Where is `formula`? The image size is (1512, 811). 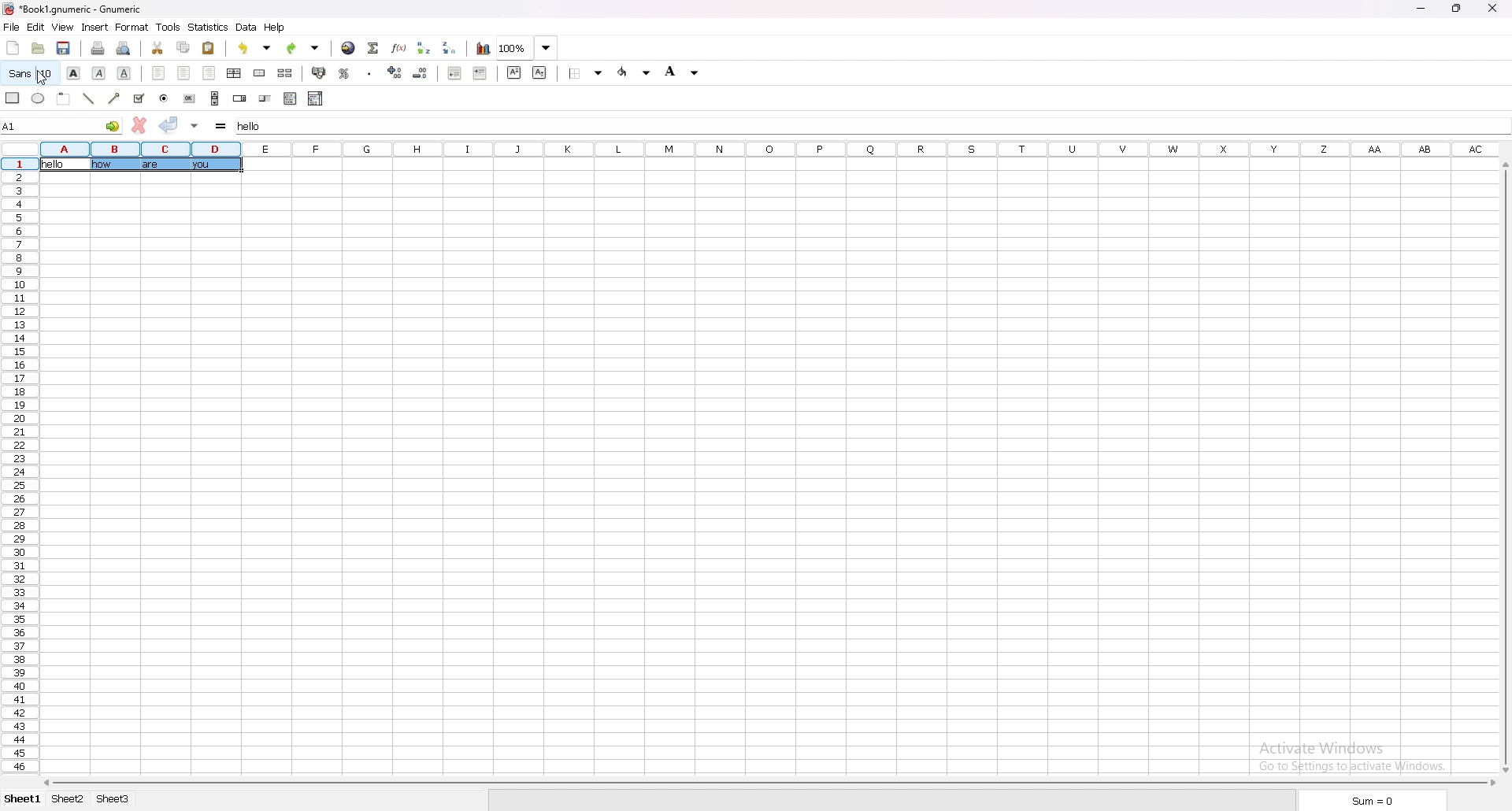 formula is located at coordinates (221, 125).